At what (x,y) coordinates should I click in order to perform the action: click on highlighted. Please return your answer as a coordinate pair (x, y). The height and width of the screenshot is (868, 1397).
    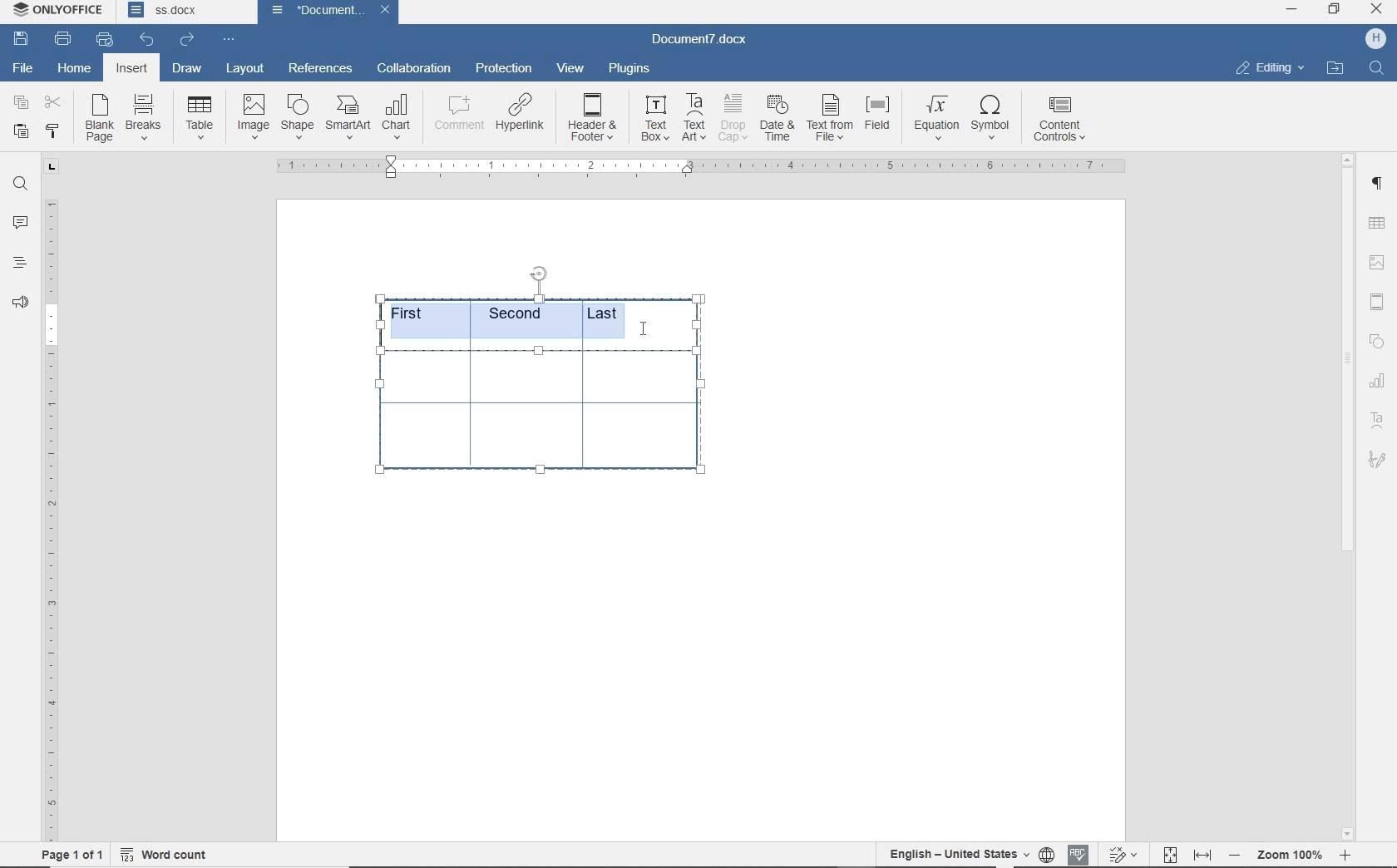
    Looking at the image, I should click on (521, 318).